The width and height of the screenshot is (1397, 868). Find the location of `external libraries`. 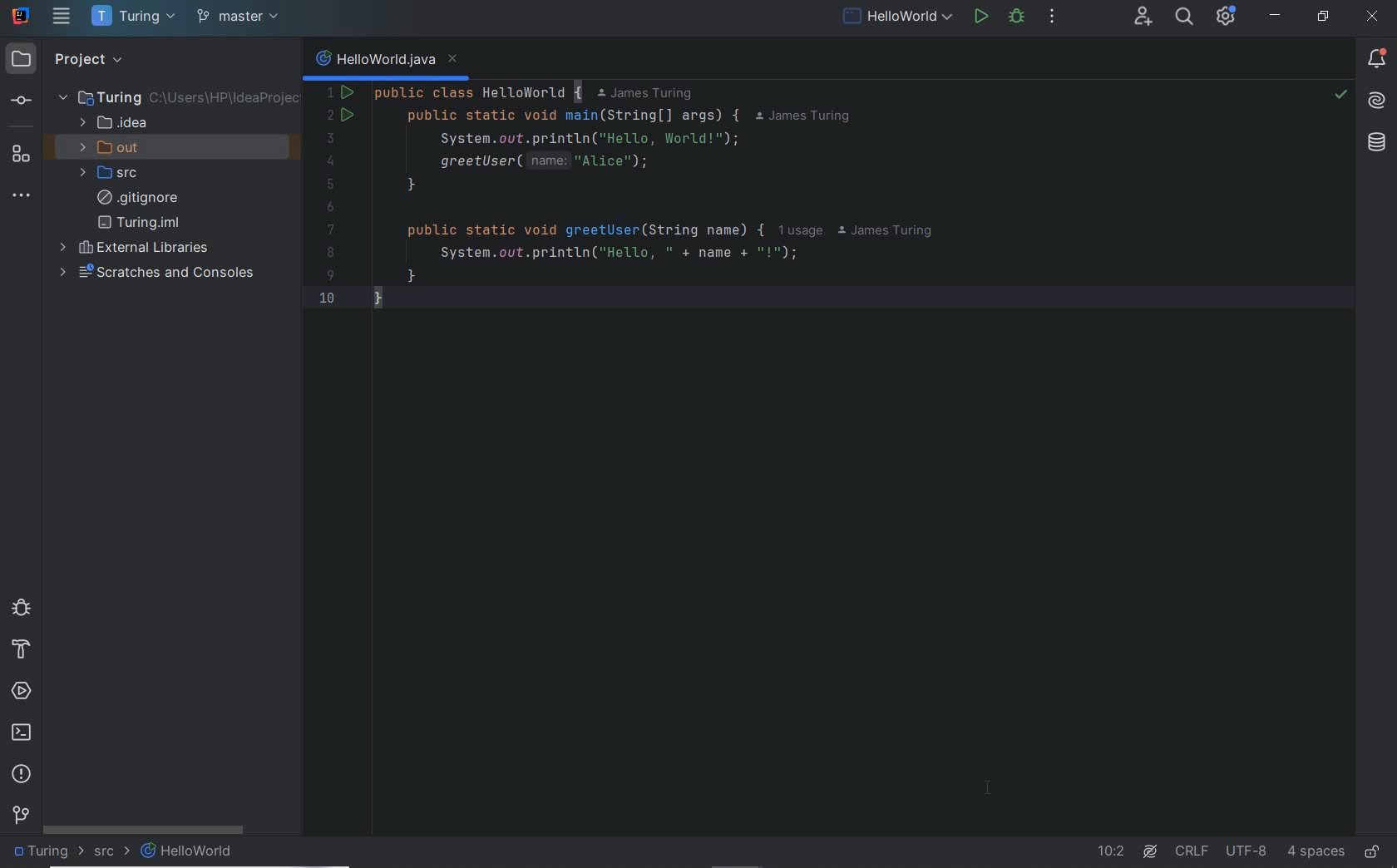

external libraries is located at coordinates (134, 249).